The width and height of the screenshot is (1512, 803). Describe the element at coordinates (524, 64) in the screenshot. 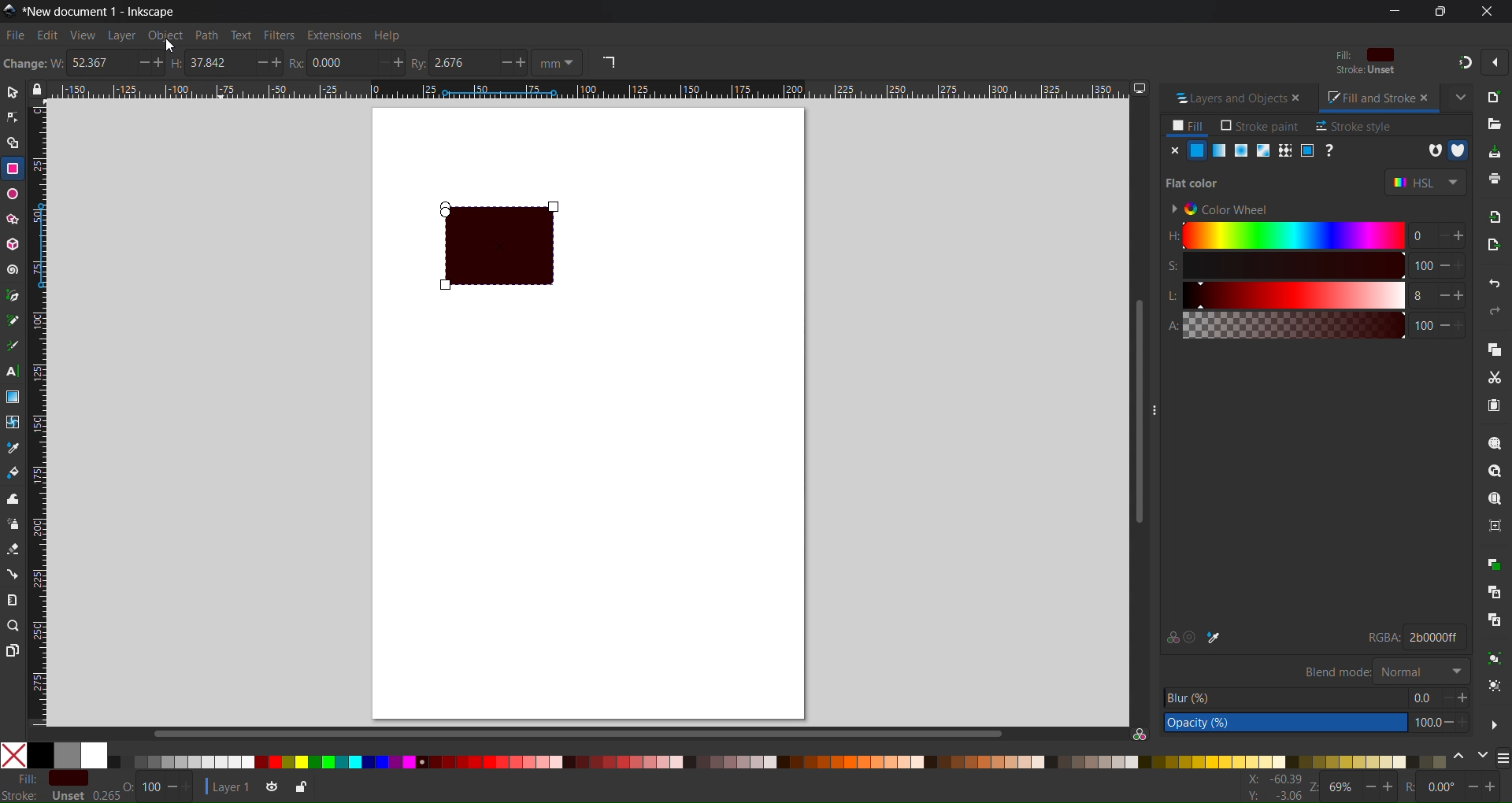

I see `Maximize radius` at that location.